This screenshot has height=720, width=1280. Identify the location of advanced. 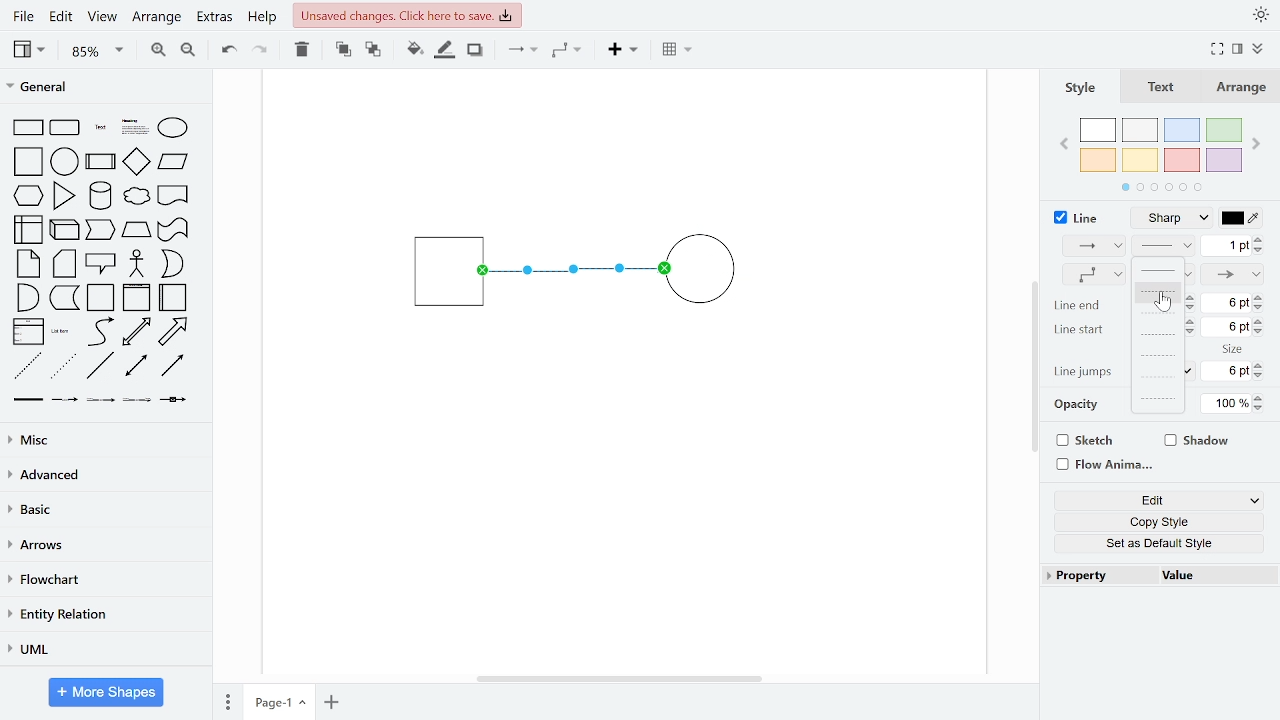
(102, 474).